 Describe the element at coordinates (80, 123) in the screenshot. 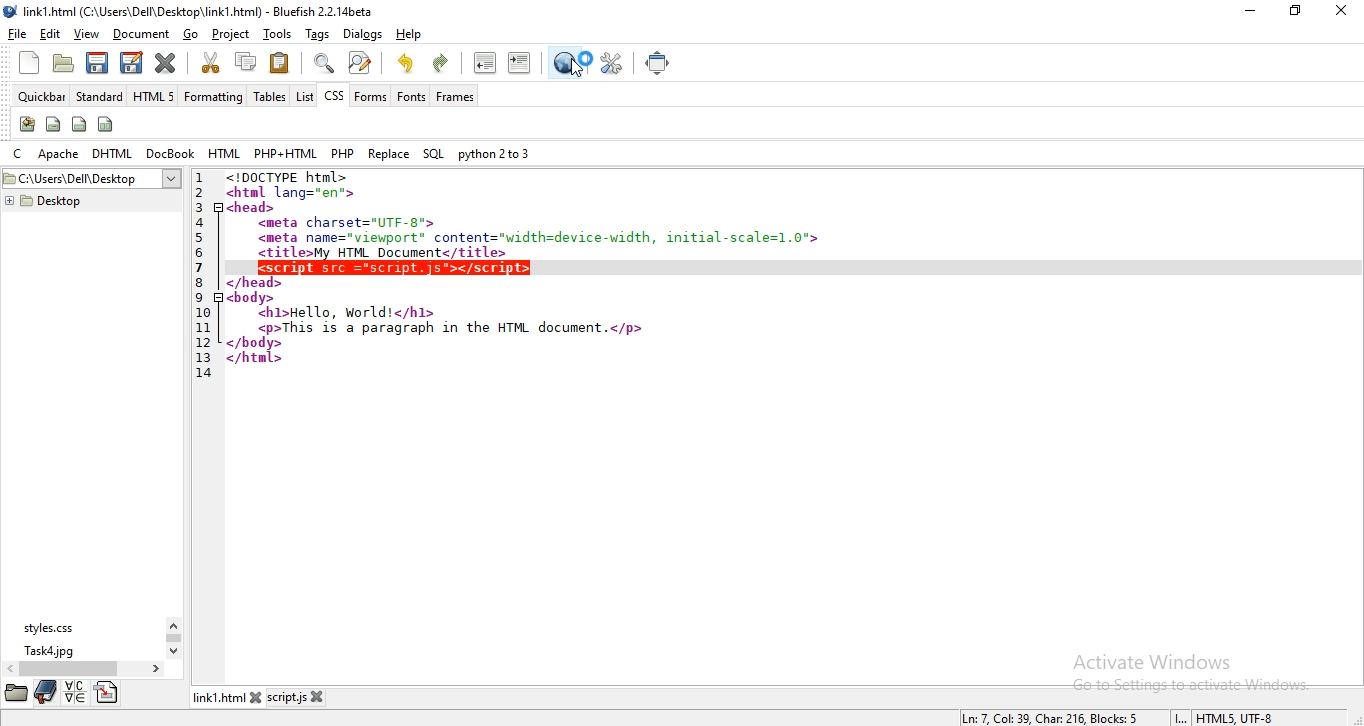

I see `div` at that location.